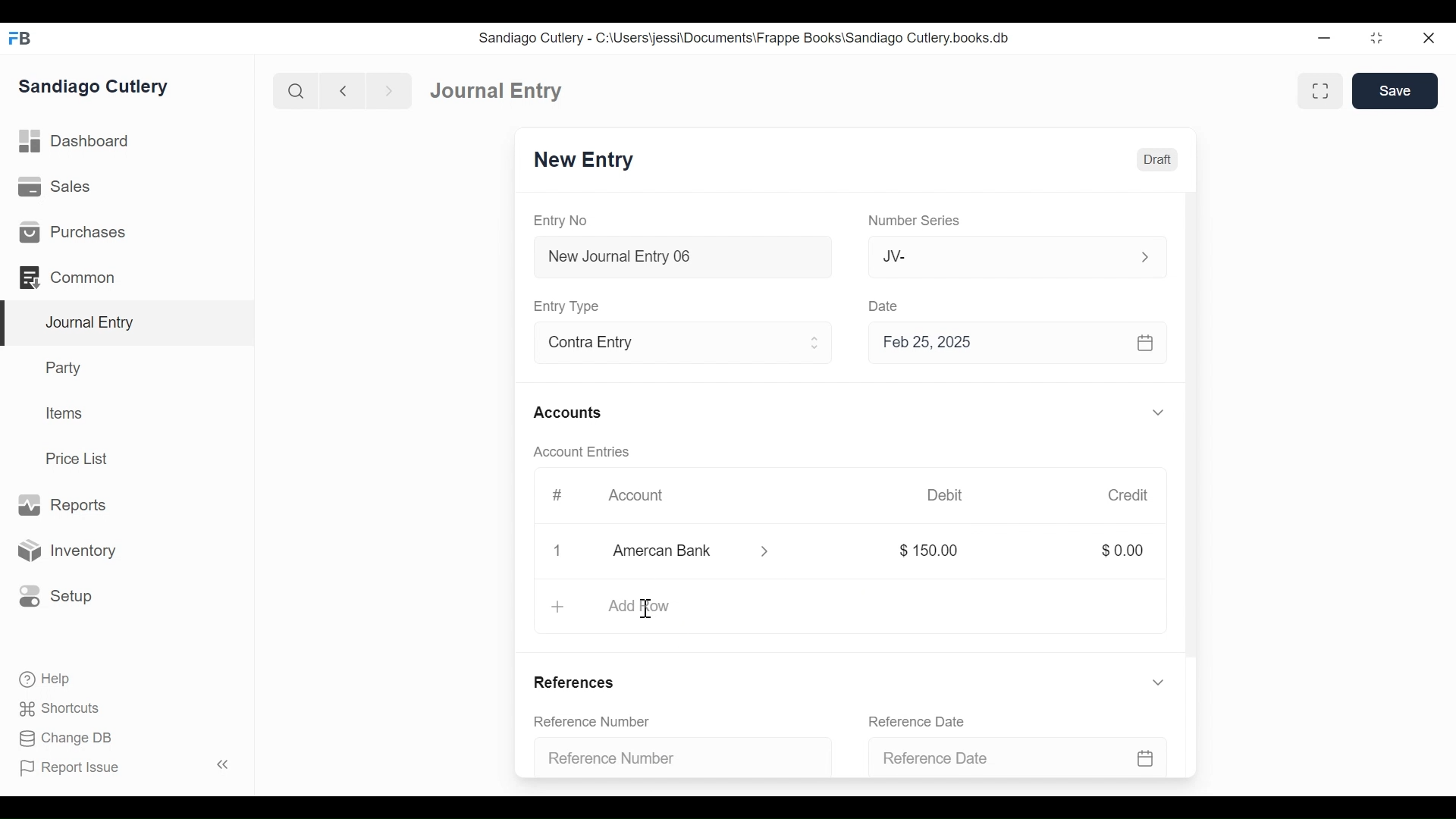 This screenshot has height=819, width=1456. Describe the element at coordinates (815, 343) in the screenshot. I see `Expand` at that location.